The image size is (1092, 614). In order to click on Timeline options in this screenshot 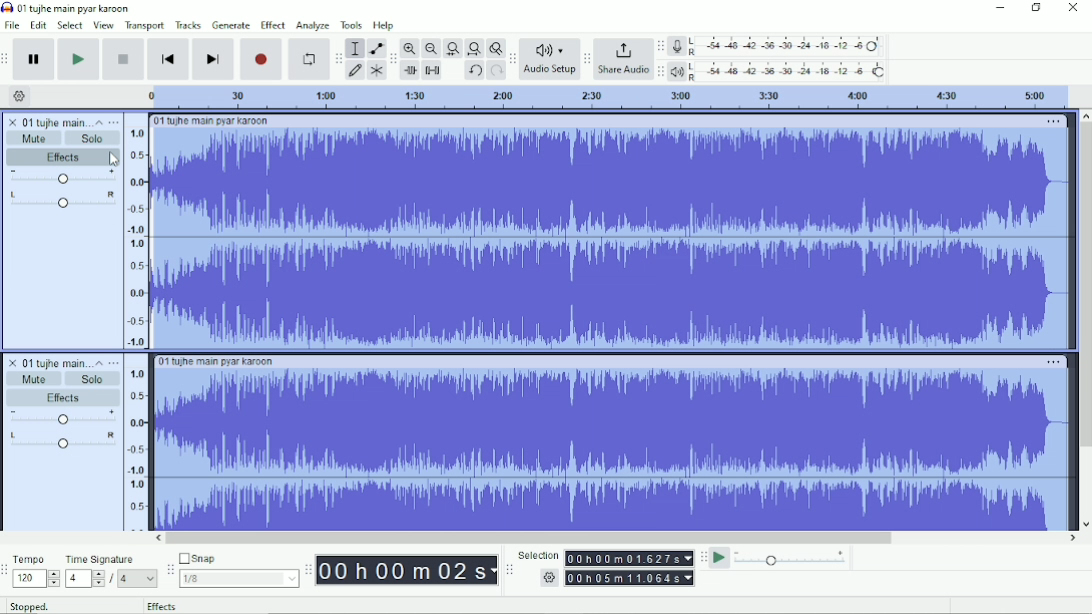, I will do `click(18, 96)`.